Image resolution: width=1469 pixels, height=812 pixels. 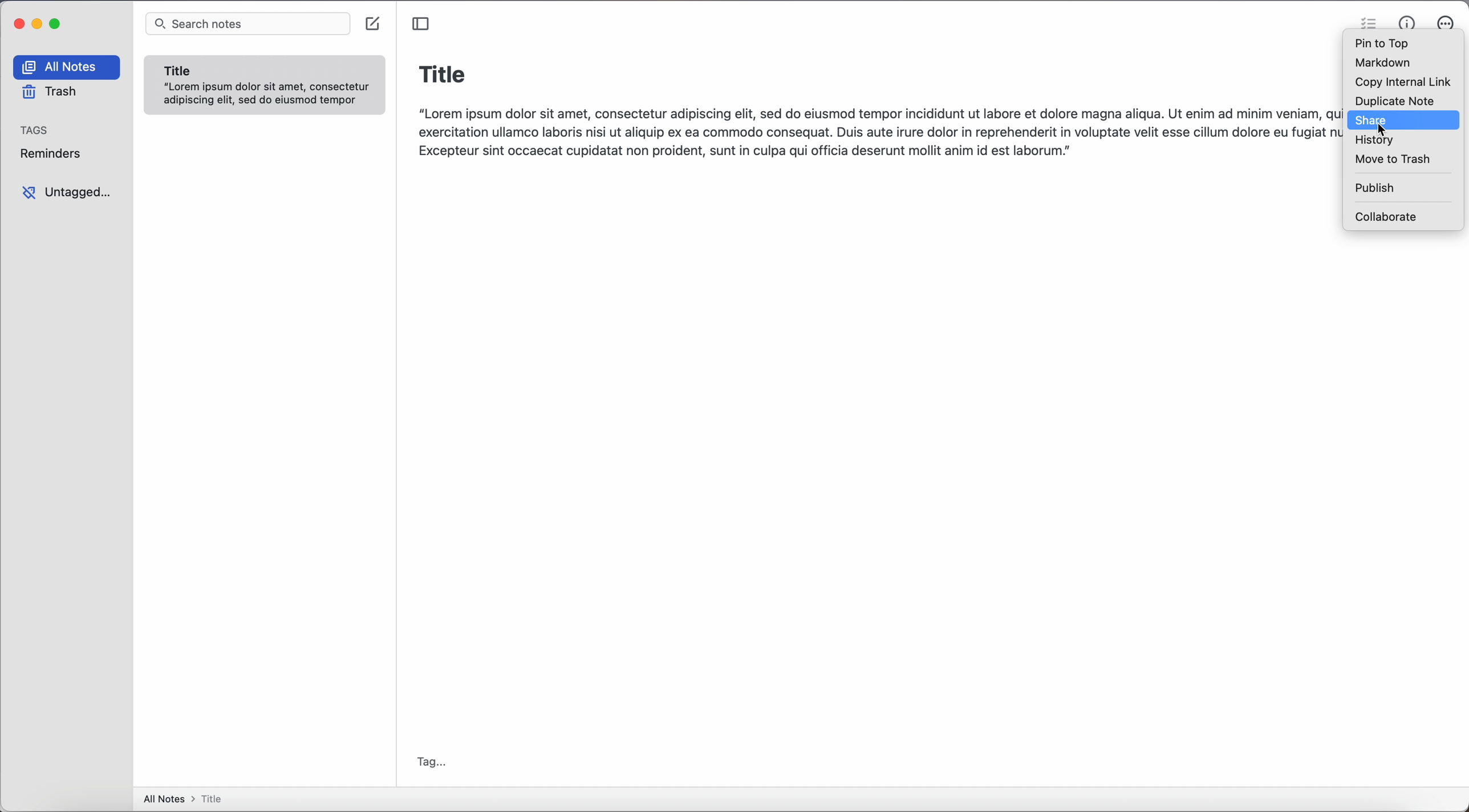 What do you see at coordinates (48, 92) in the screenshot?
I see `trash` at bounding box center [48, 92].